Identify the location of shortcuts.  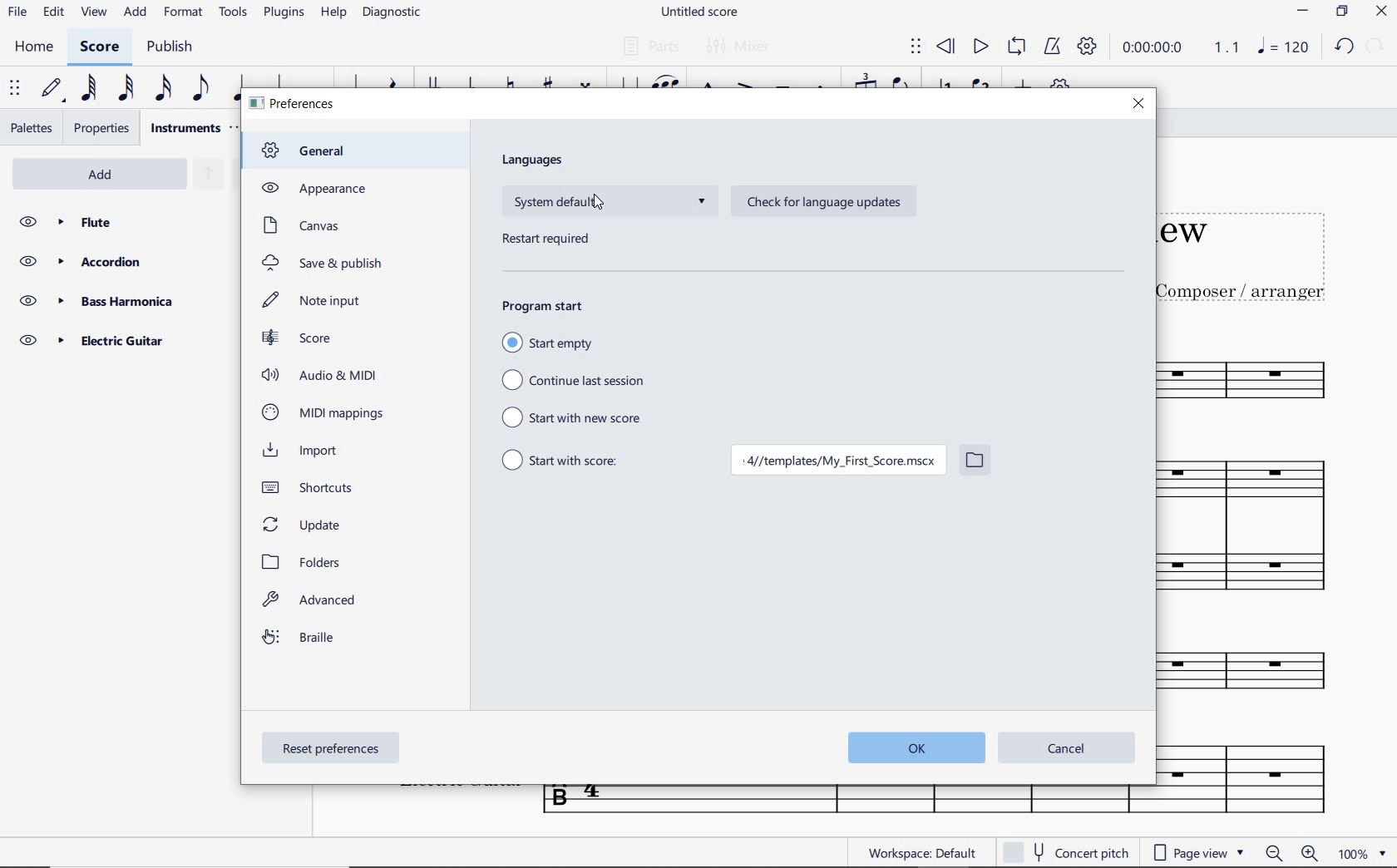
(314, 487).